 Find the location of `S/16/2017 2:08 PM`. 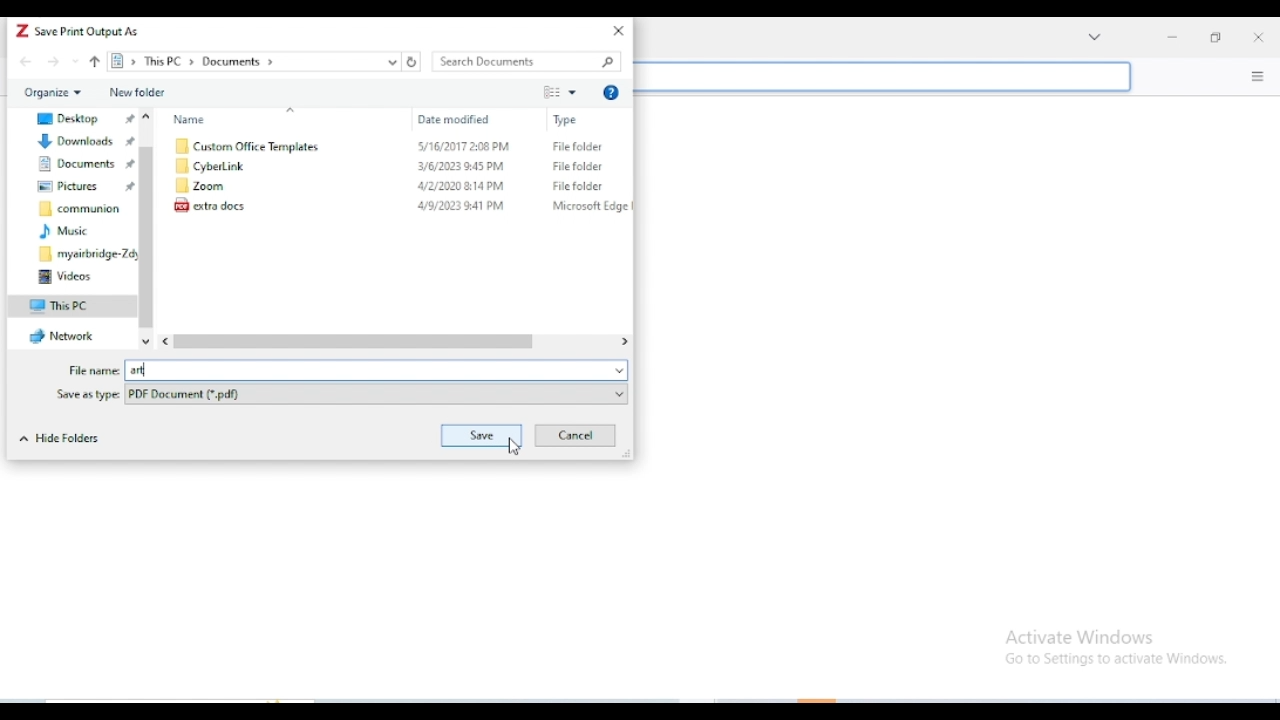

S/16/2017 2:08 PM is located at coordinates (464, 147).